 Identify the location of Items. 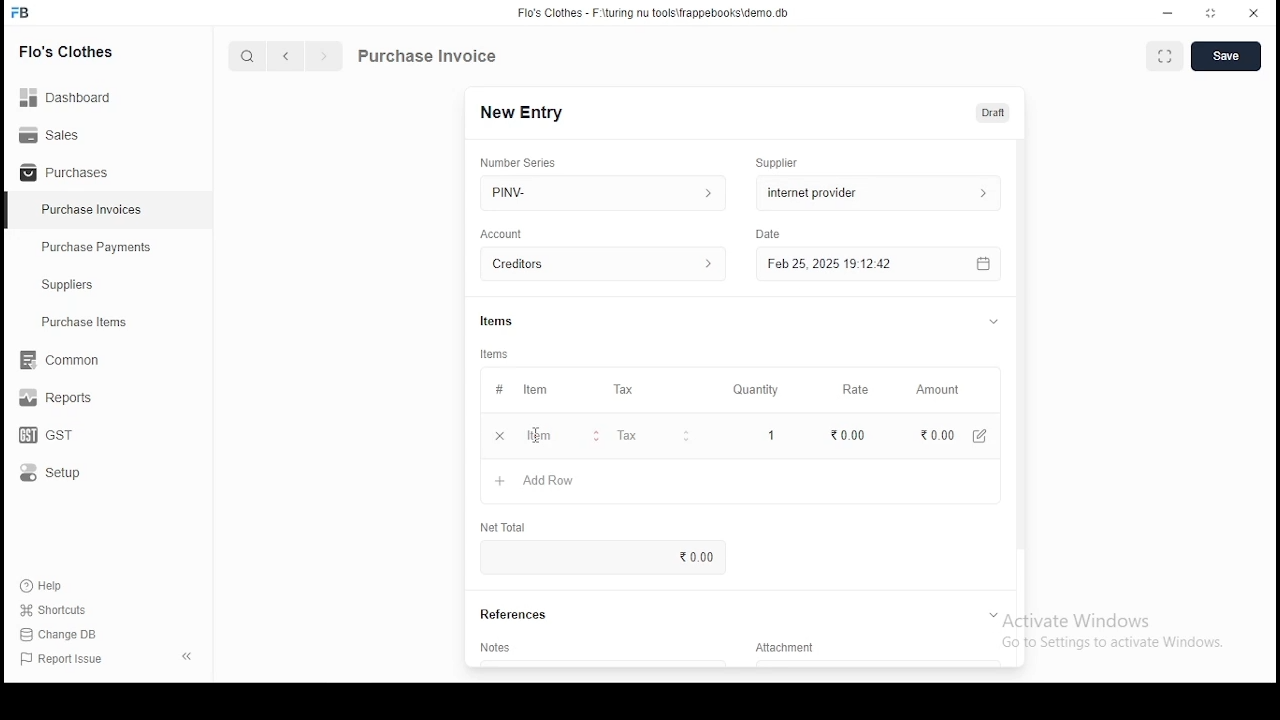
(495, 354).